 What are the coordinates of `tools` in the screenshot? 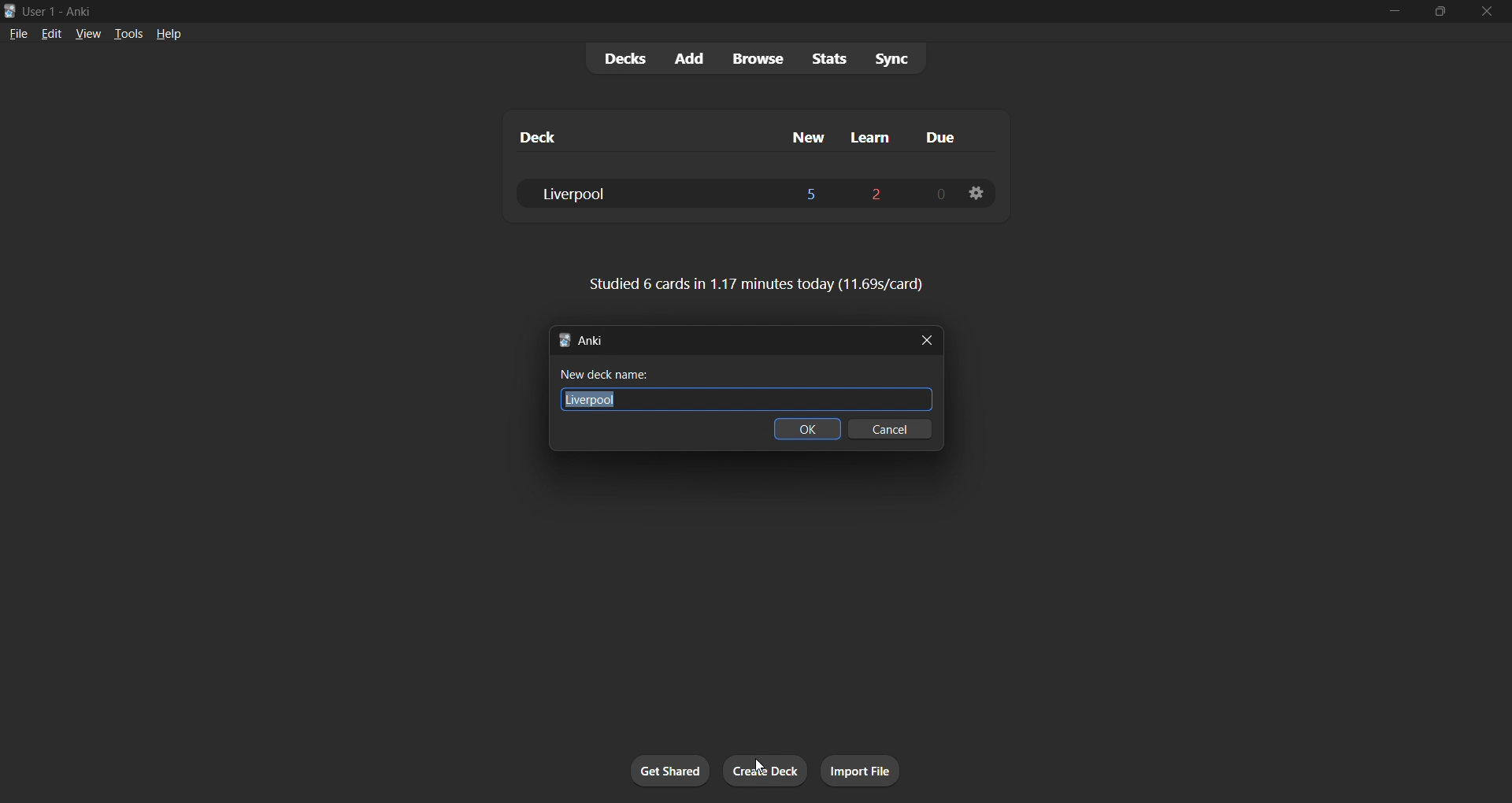 It's located at (131, 34).